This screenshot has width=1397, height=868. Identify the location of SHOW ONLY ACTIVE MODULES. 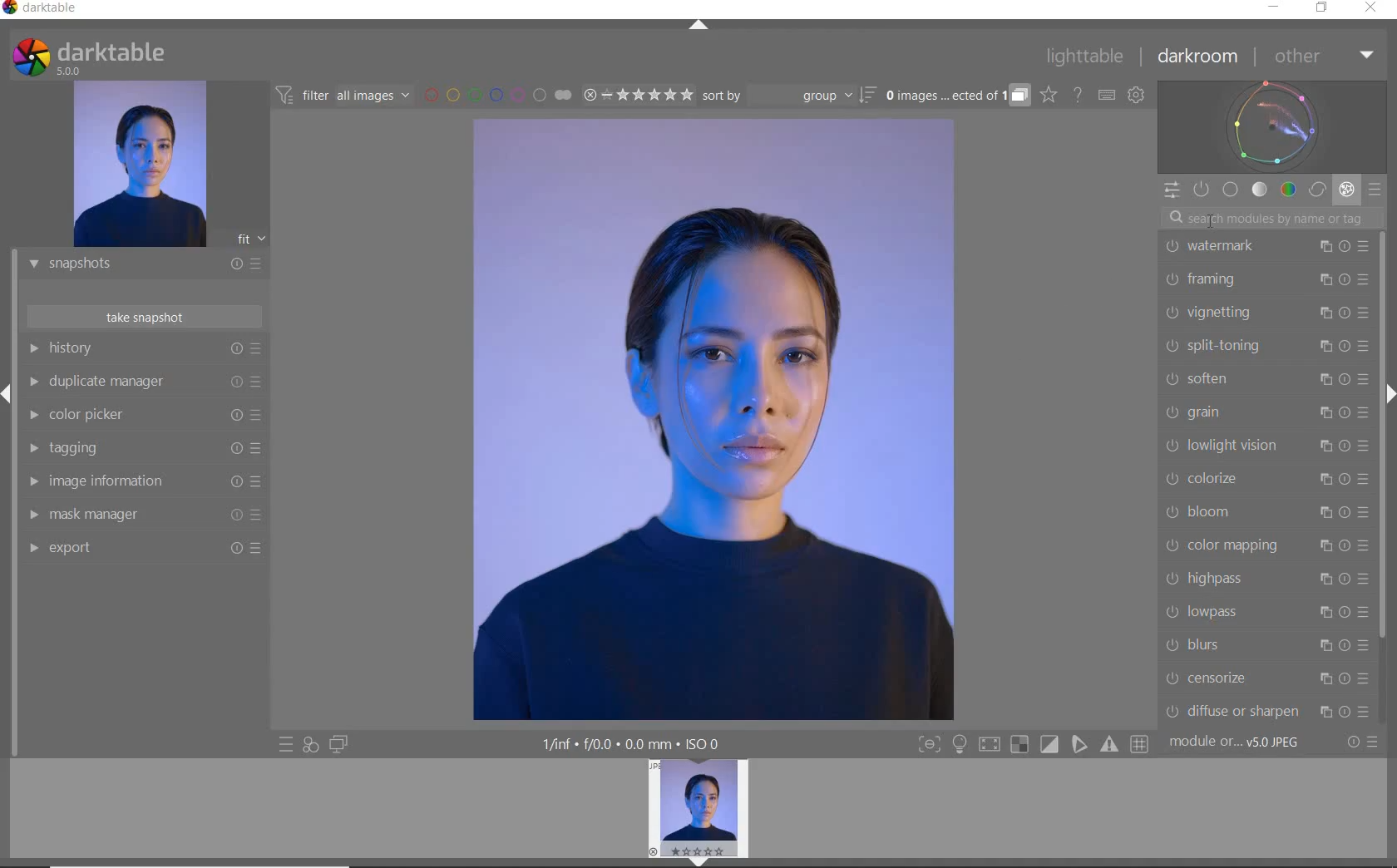
(1202, 190).